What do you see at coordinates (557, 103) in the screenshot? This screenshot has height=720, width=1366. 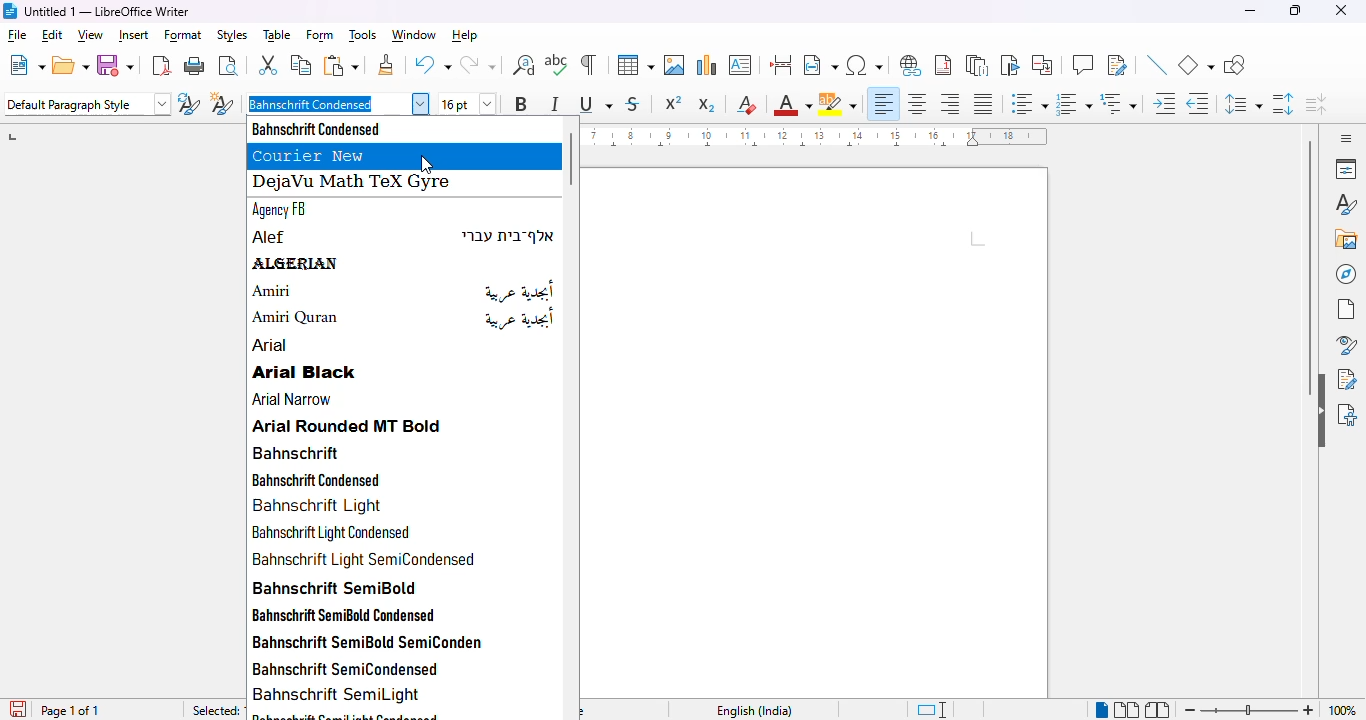 I see `italic` at bounding box center [557, 103].